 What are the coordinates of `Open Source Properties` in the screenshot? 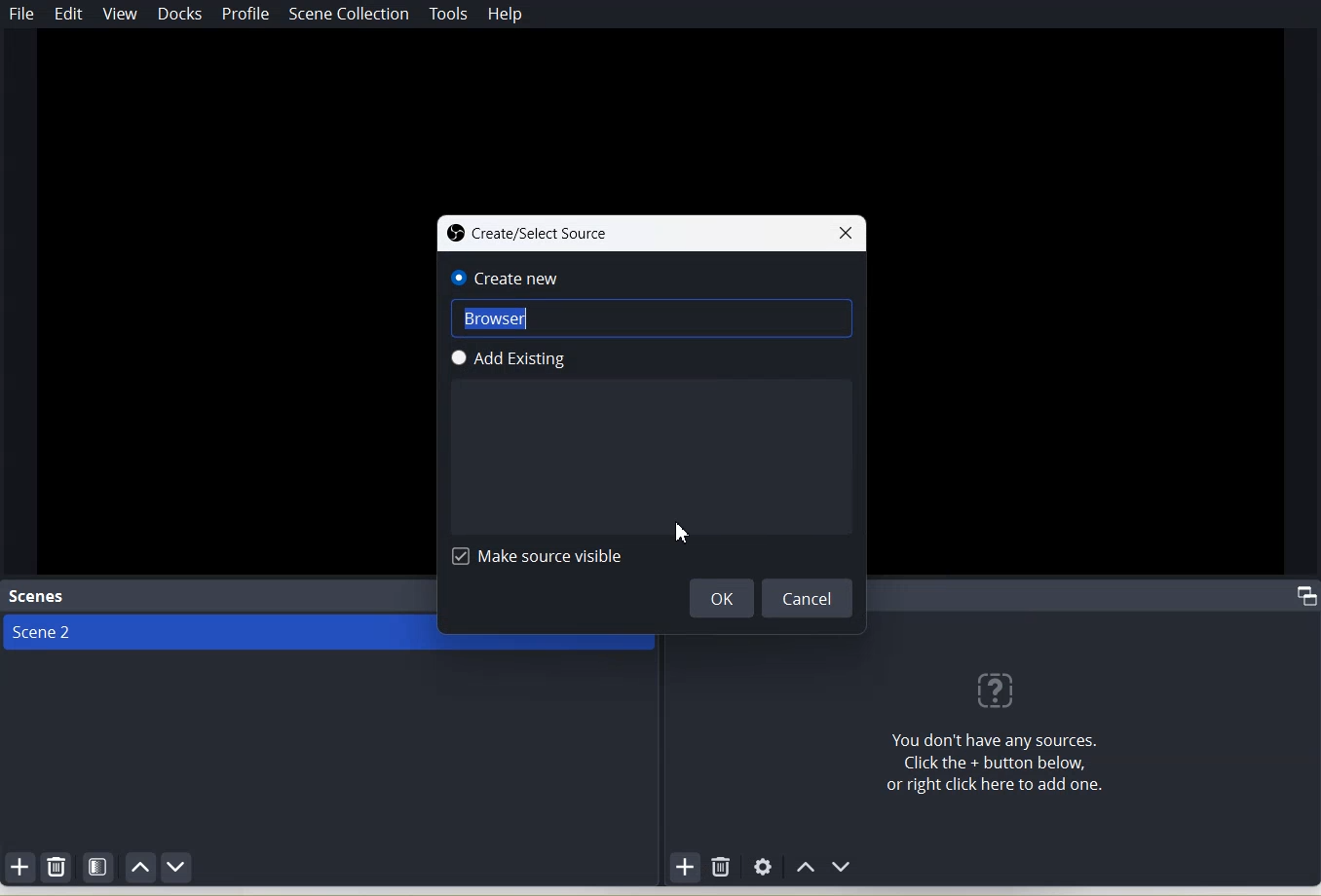 It's located at (763, 868).